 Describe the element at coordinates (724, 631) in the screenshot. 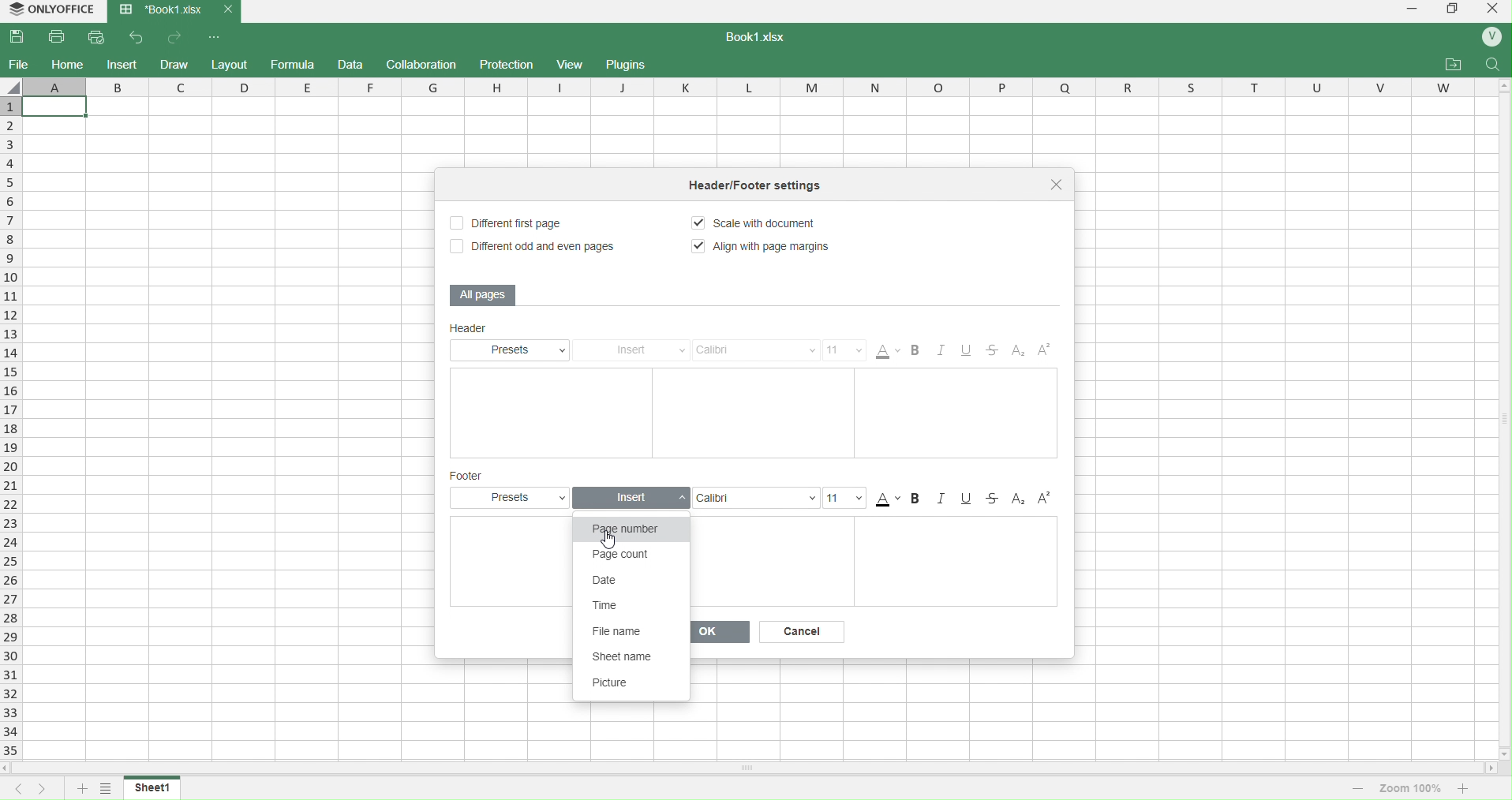

I see `Ok` at that location.